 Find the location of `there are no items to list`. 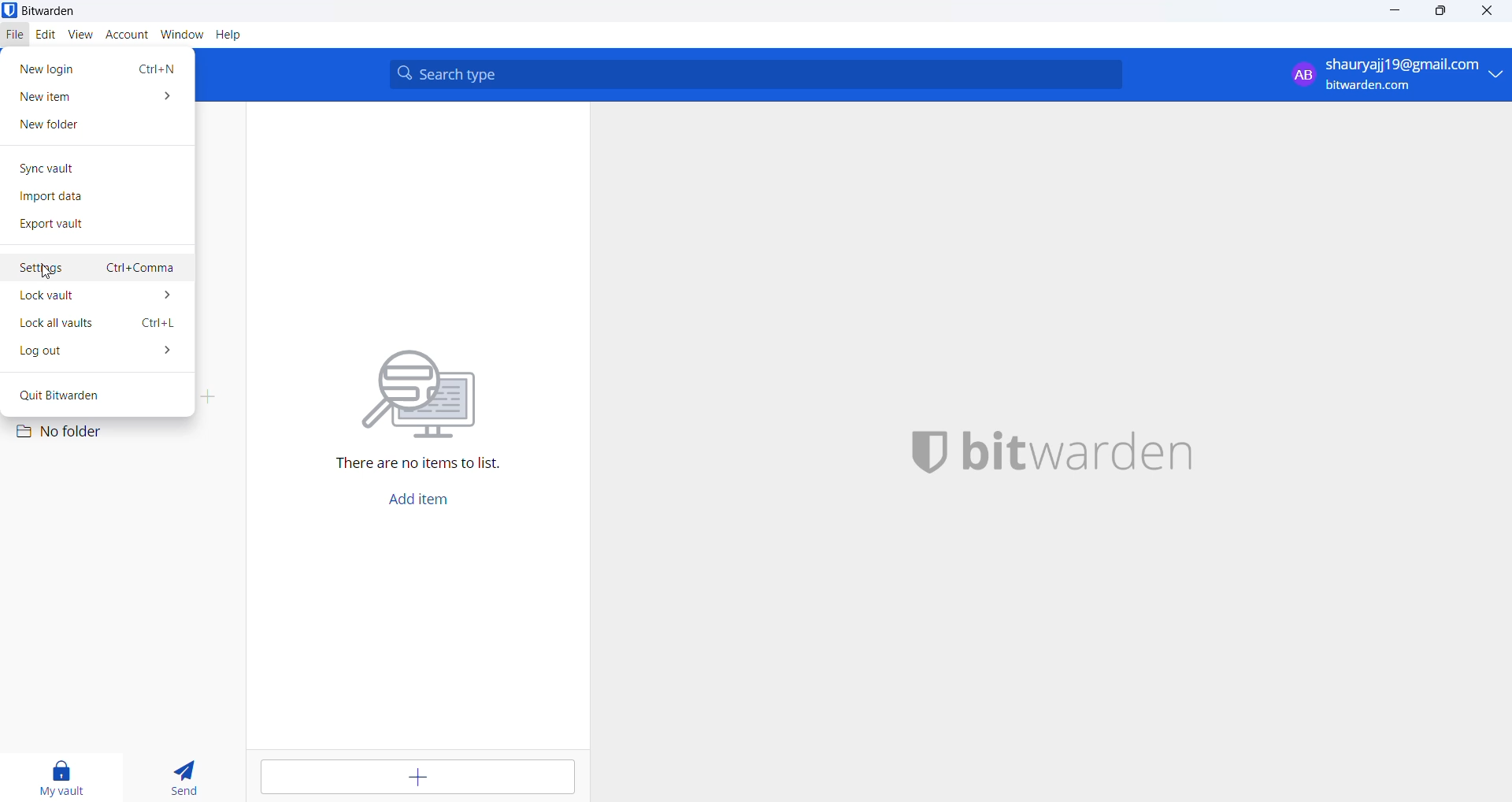

there are no items to list is located at coordinates (427, 398).